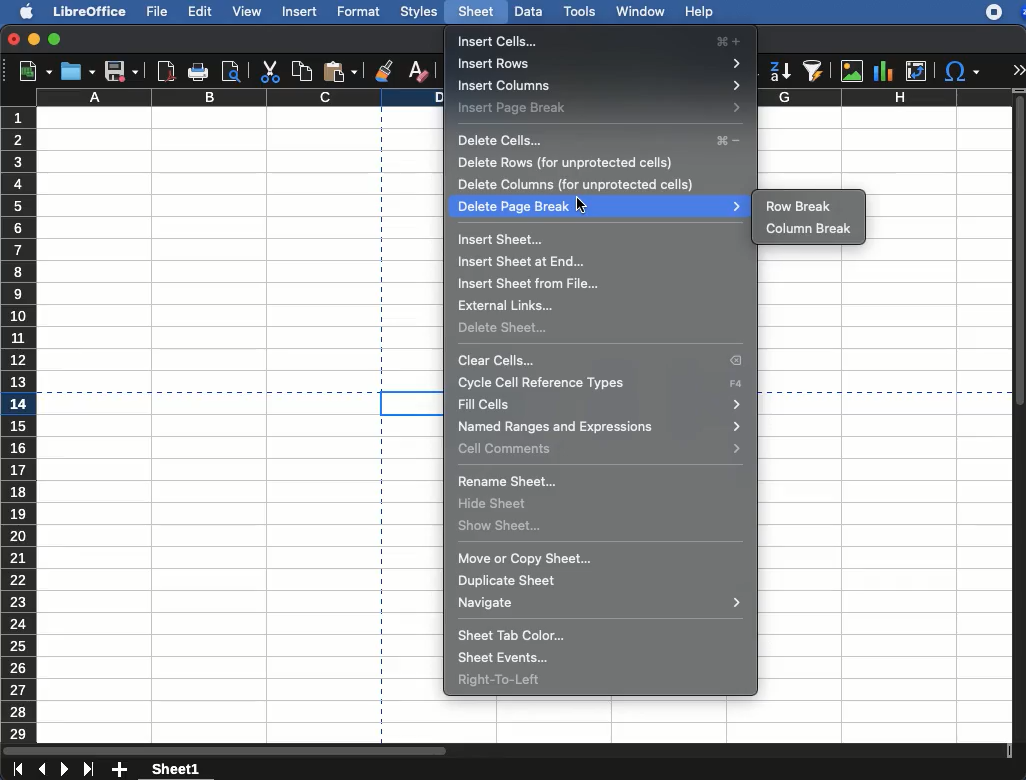 This screenshot has width=1026, height=780. What do you see at coordinates (302, 70) in the screenshot?
I see `copy` at bounding box center [302, 70].